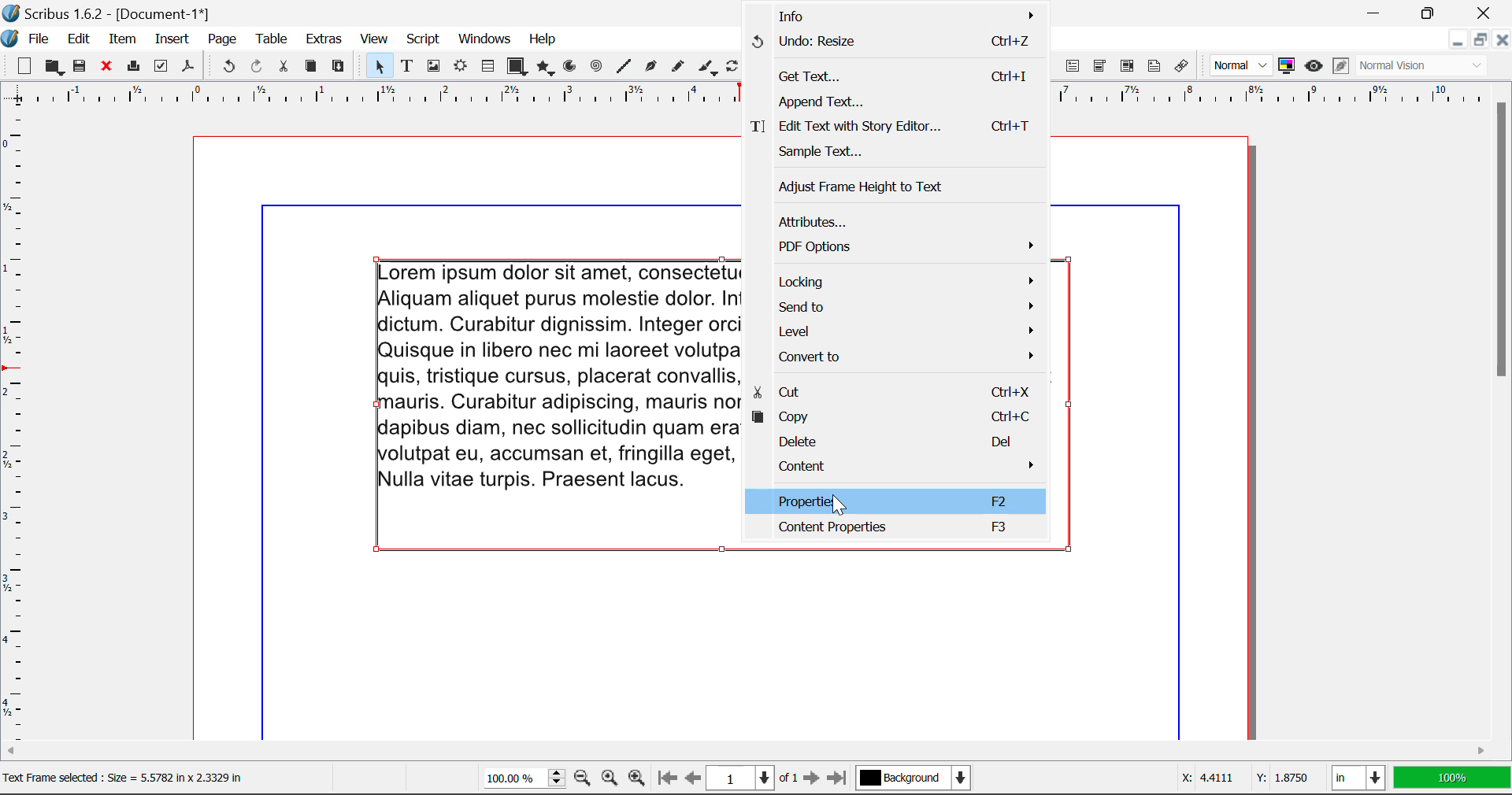 The image size is (1512, 795). What do you see at coordinates (895, 415) in the screenshot?
I see `Copy` at bounding box center [895, 415].